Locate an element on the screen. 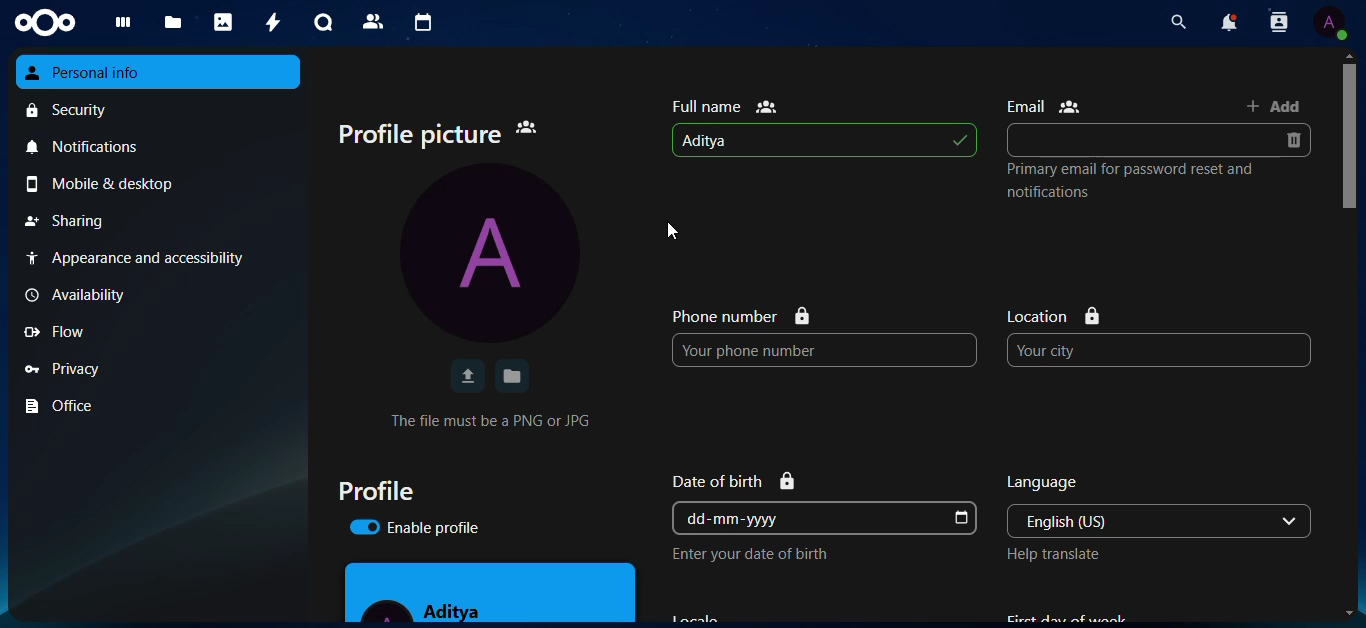 The image size is (1366, 628). delete is located at coordinates (1292, 140).